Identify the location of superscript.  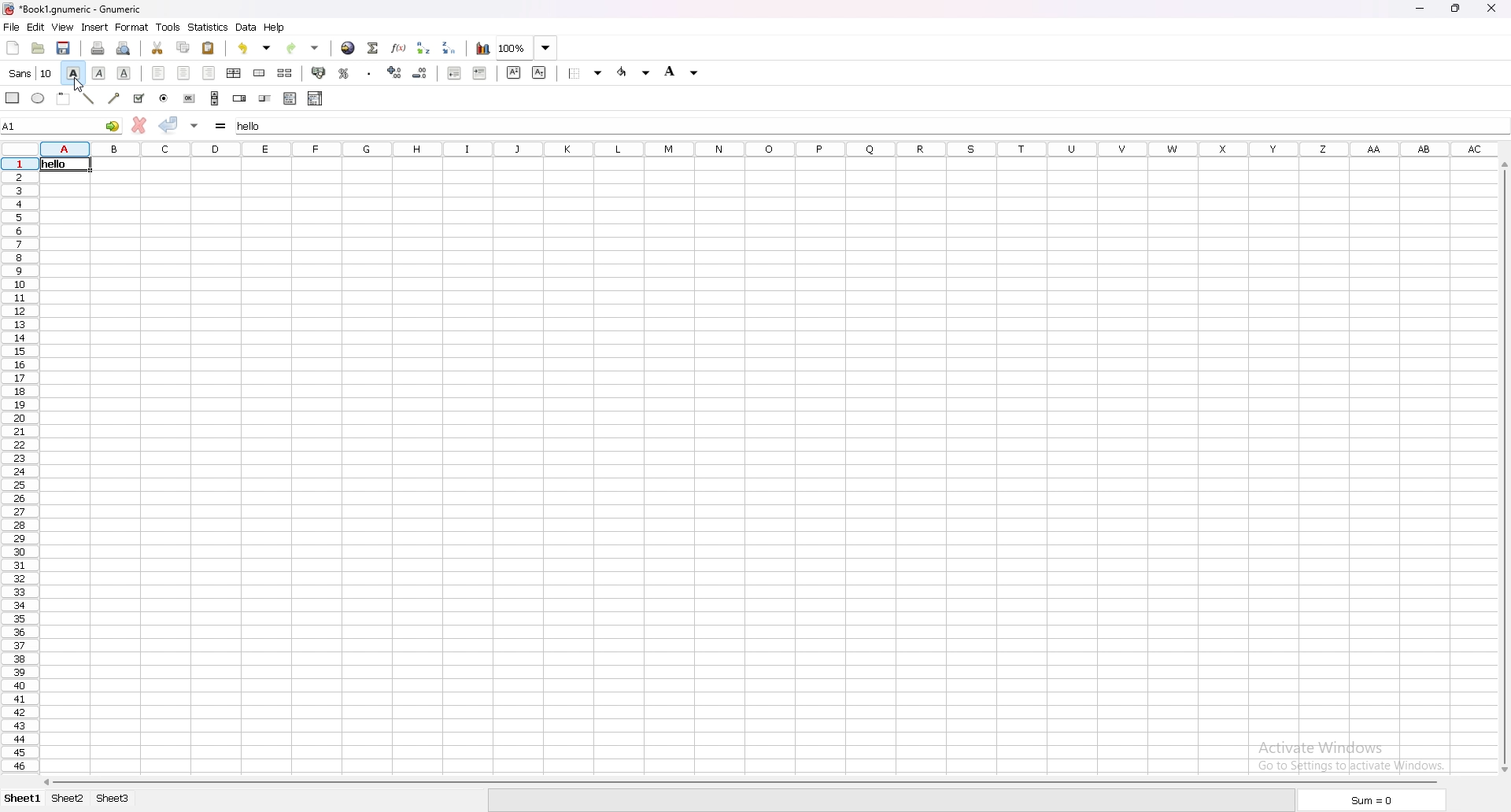
(514, 73).